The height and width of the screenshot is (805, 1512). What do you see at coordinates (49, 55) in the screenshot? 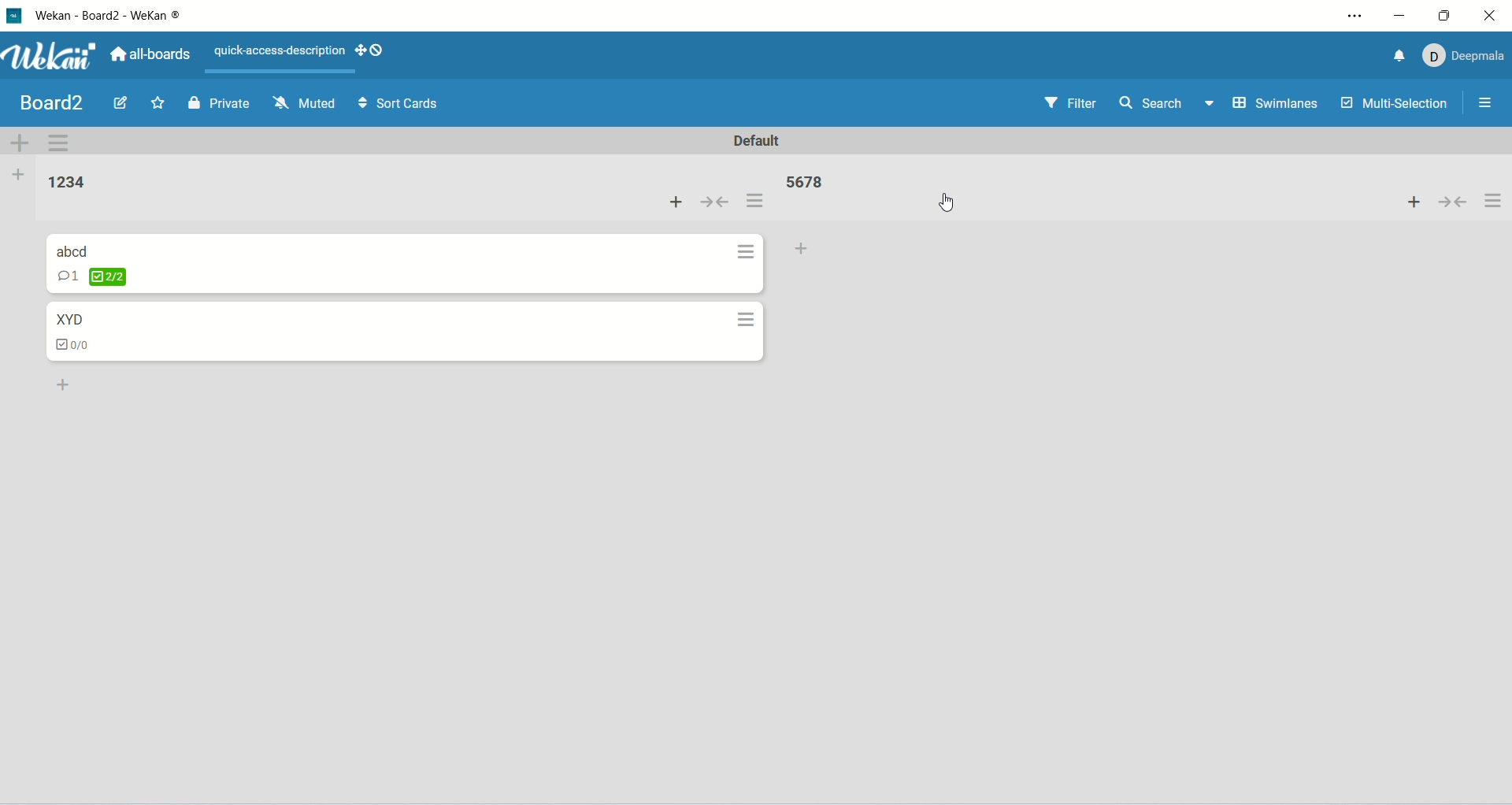
I see `wekan` at bounding box center [49, 55].